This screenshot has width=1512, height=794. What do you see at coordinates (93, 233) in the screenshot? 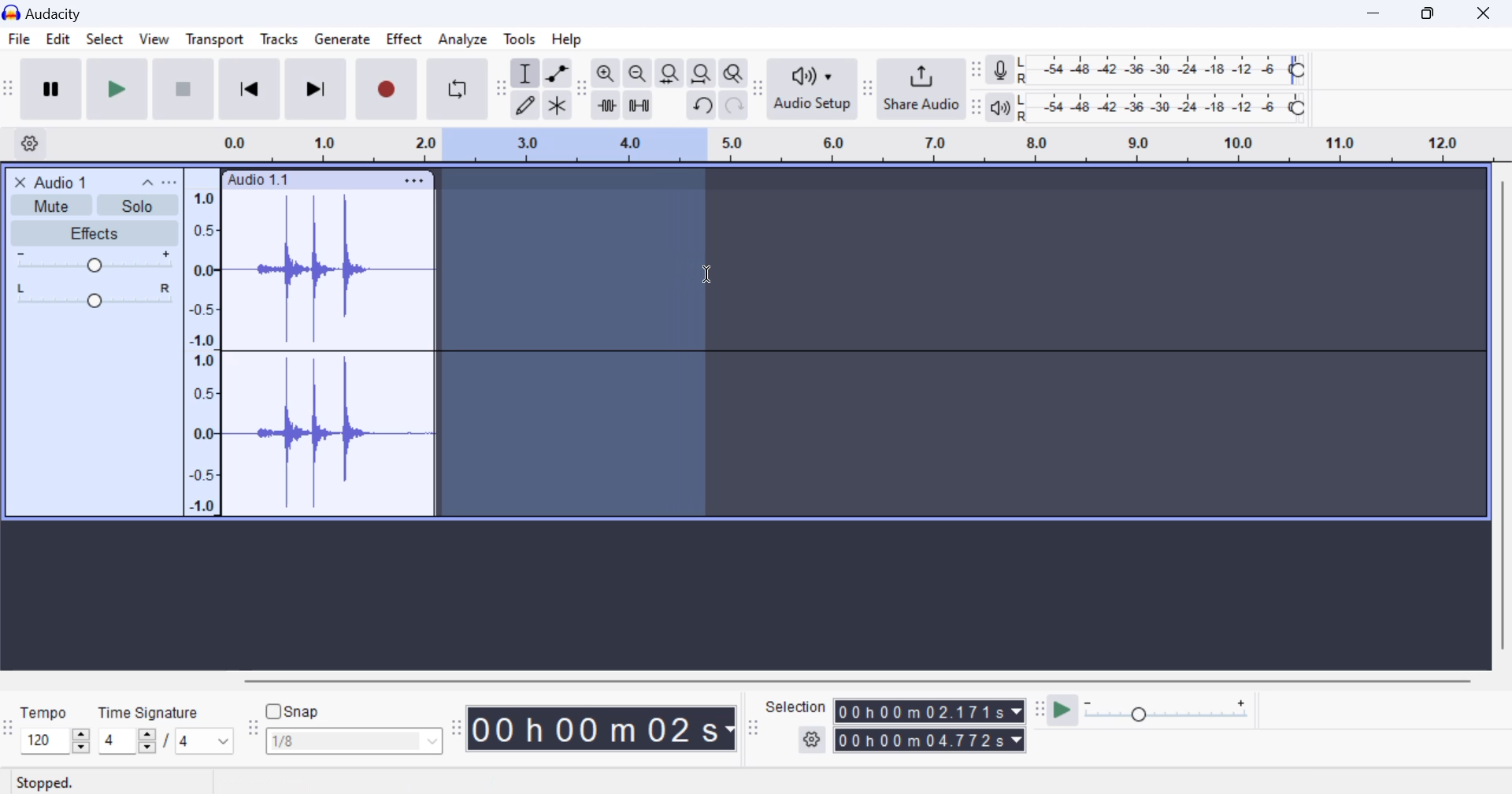
I see `Effects` at bounding box center [93, 233].